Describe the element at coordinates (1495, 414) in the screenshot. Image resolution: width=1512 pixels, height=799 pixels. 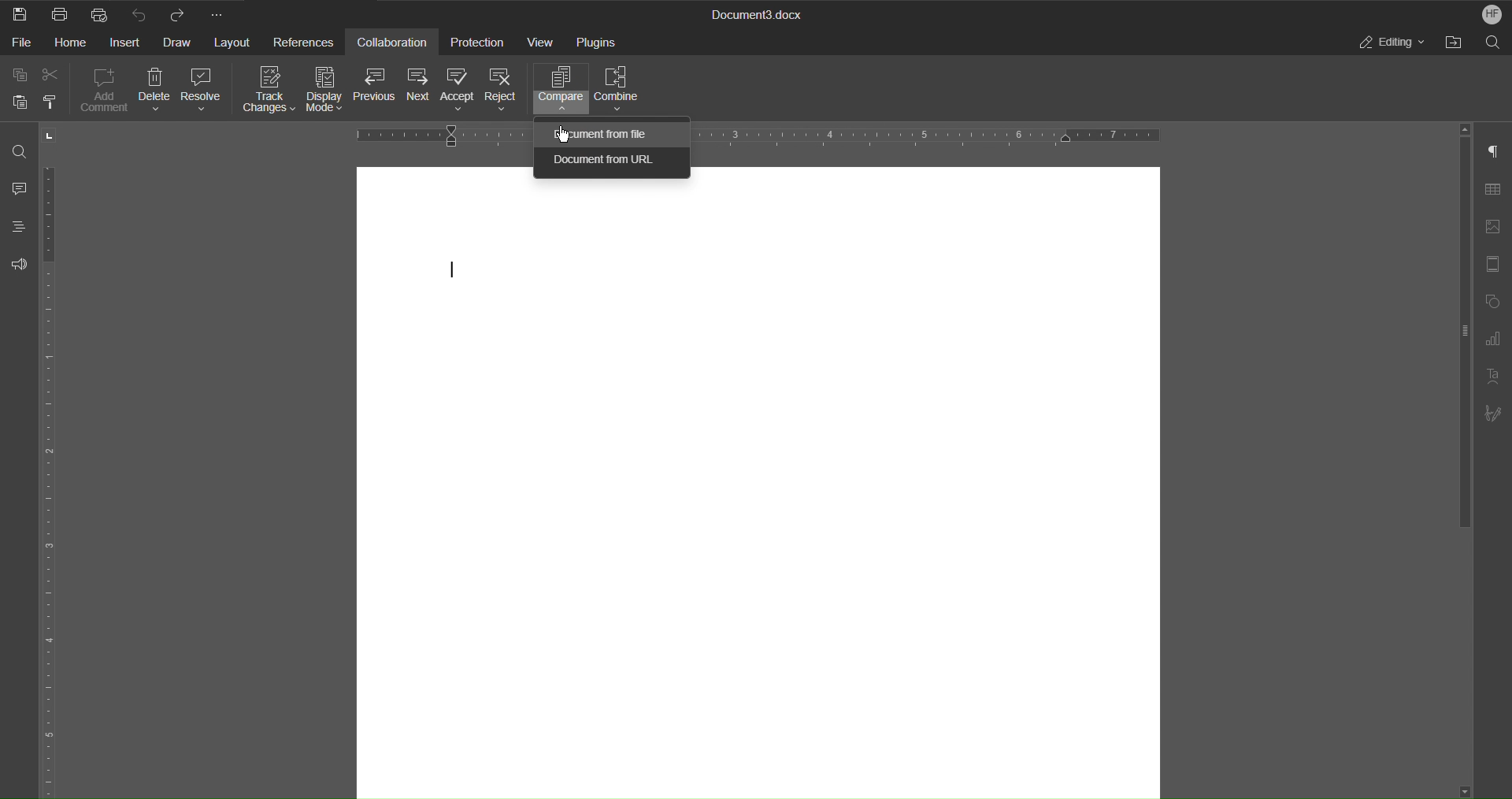
I see `Signature` at that location.